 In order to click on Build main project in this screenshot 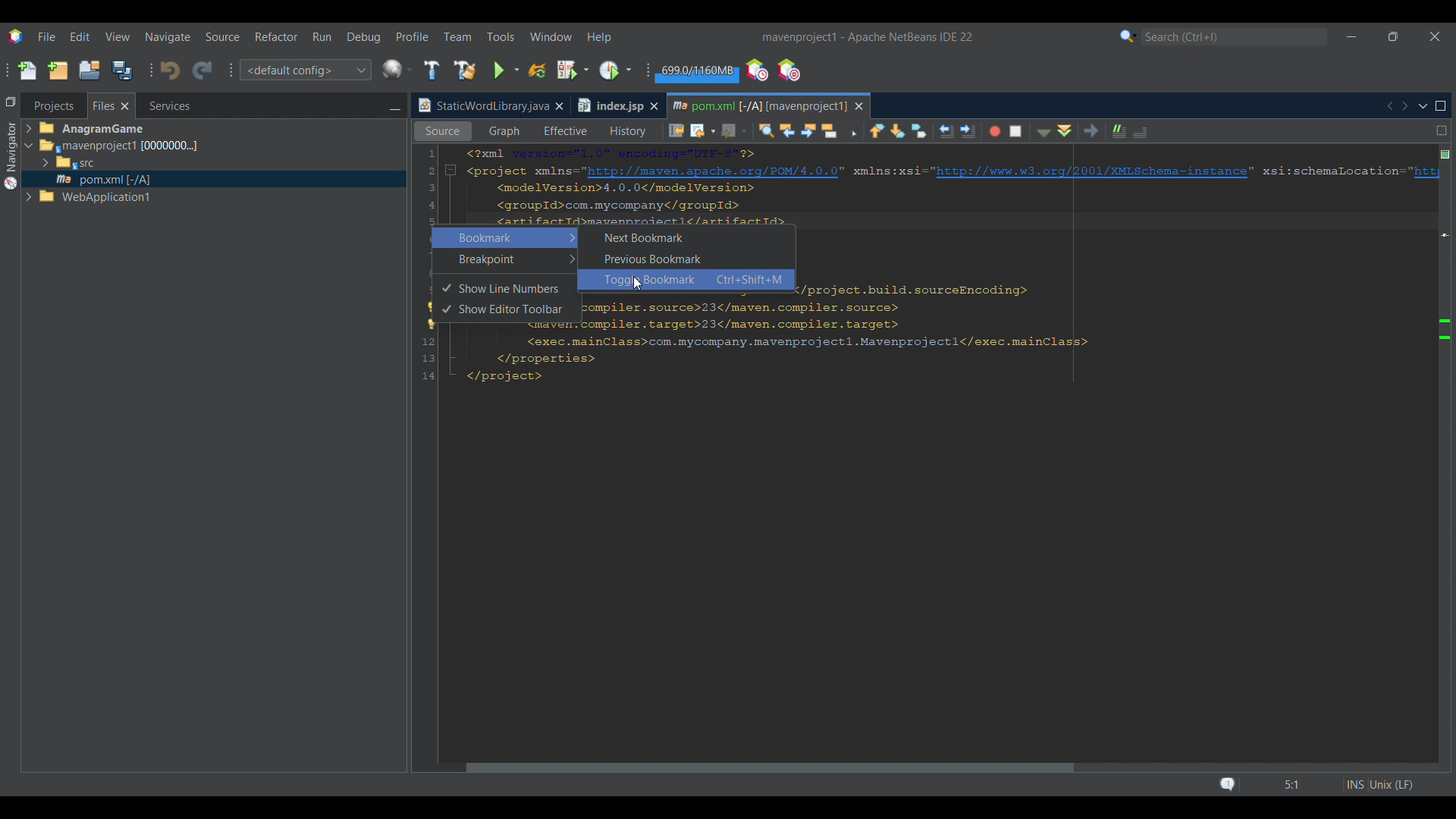, I will do `click(431, 70)`.